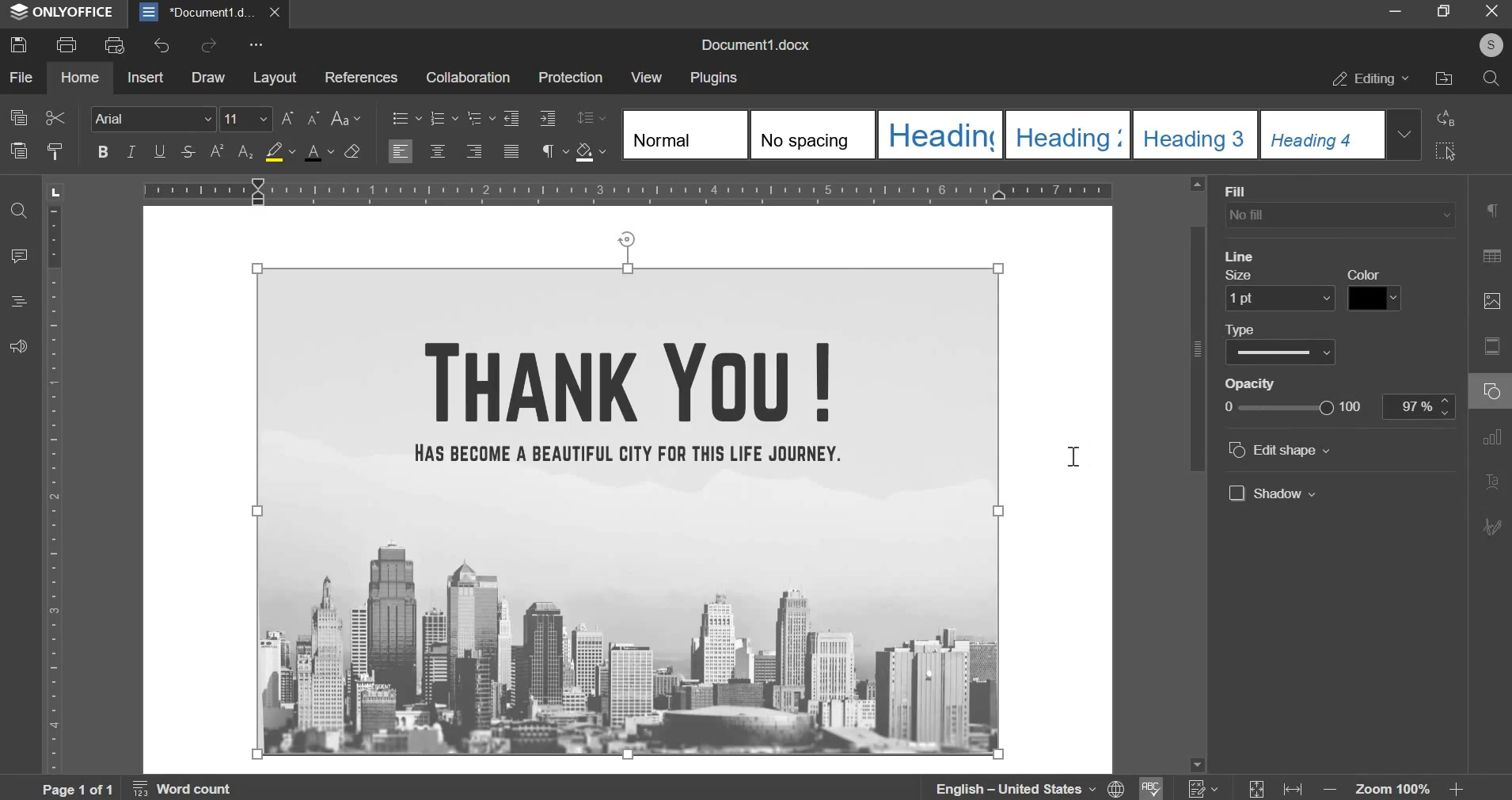 The height and width of the screenshot is (800, 1512). What do you see at coordinates (66, 44) in the screenshot?
I see `print` at bounding box center [66, 44].